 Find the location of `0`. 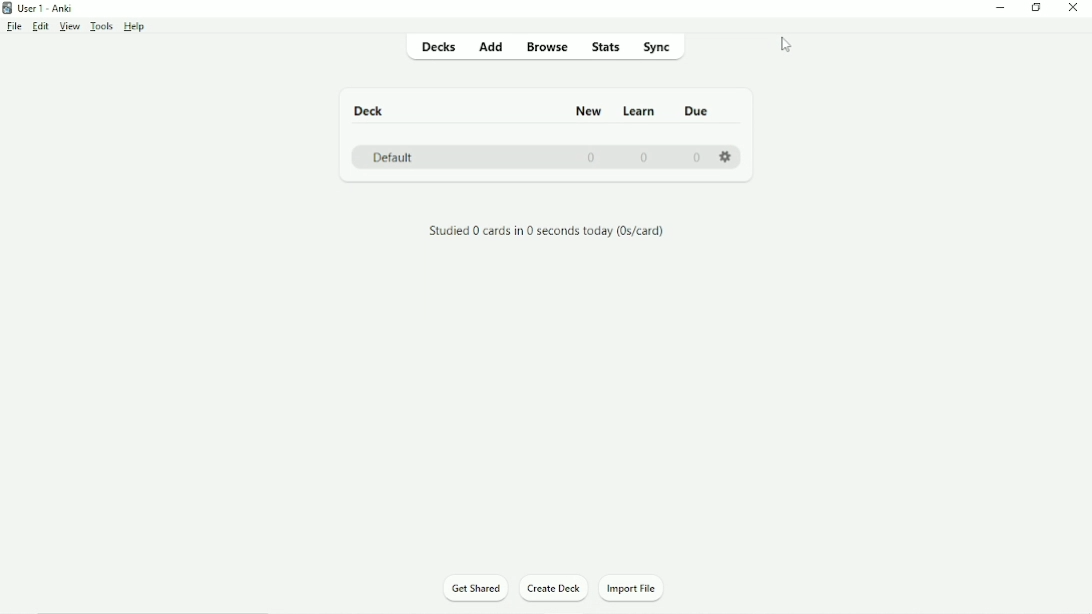

0 is located at coordinates (593, 157).